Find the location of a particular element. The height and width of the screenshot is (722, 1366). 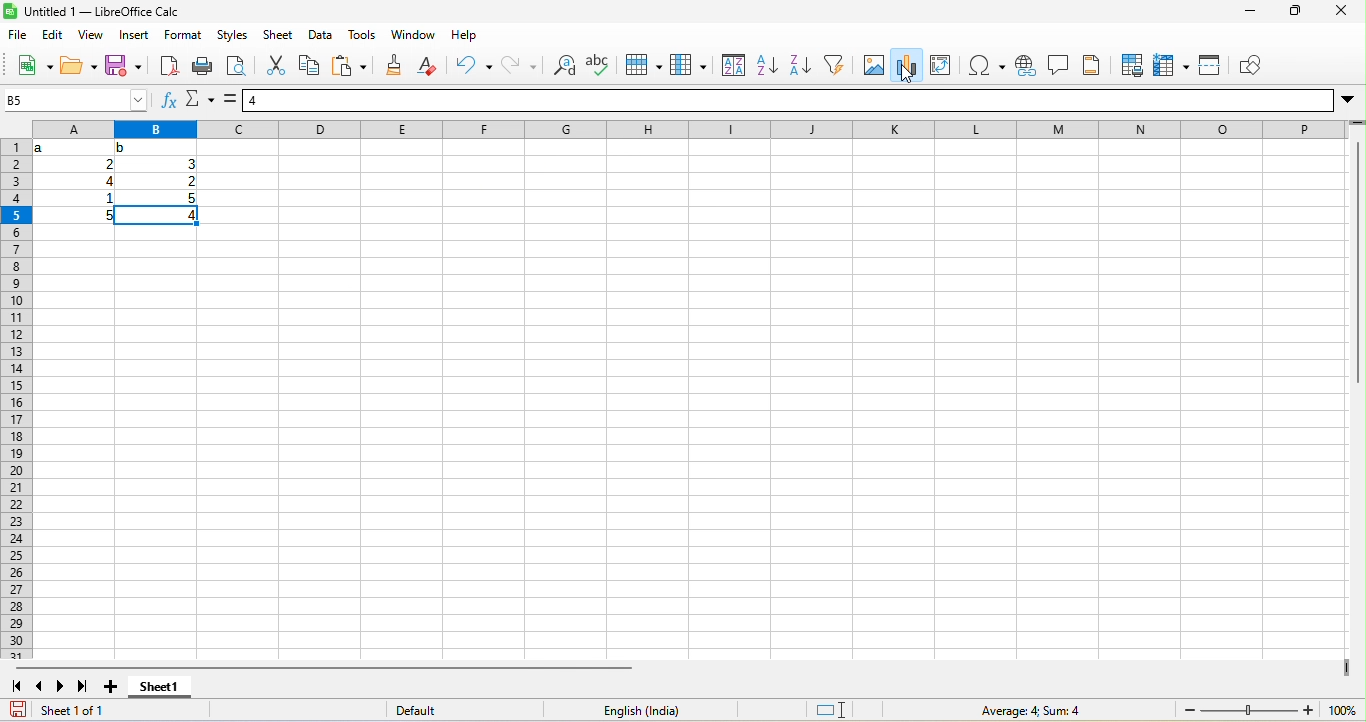

Software logo is located at coordinates (10, 11).